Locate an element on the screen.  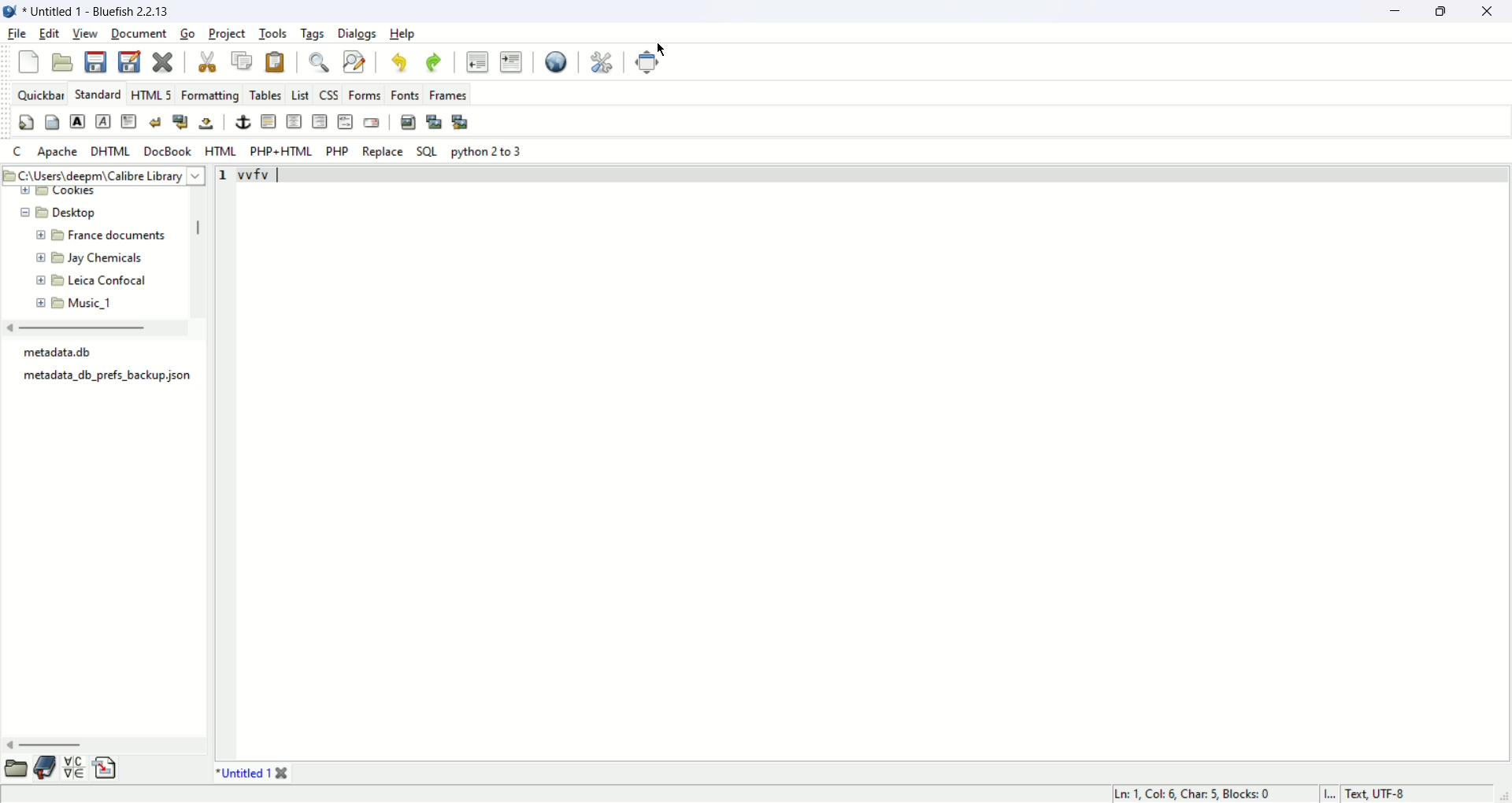
indent is located at coordinates (511, 61).